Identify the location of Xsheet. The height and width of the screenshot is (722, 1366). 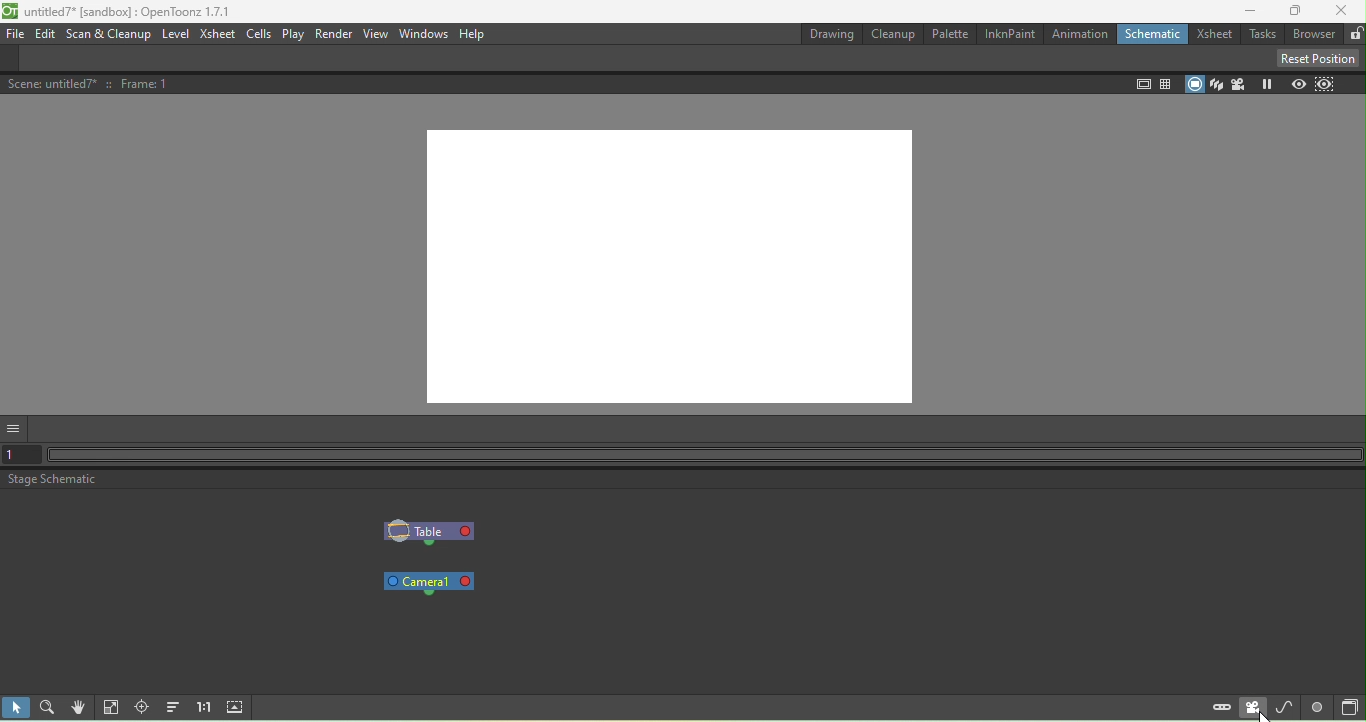
(217, 36).